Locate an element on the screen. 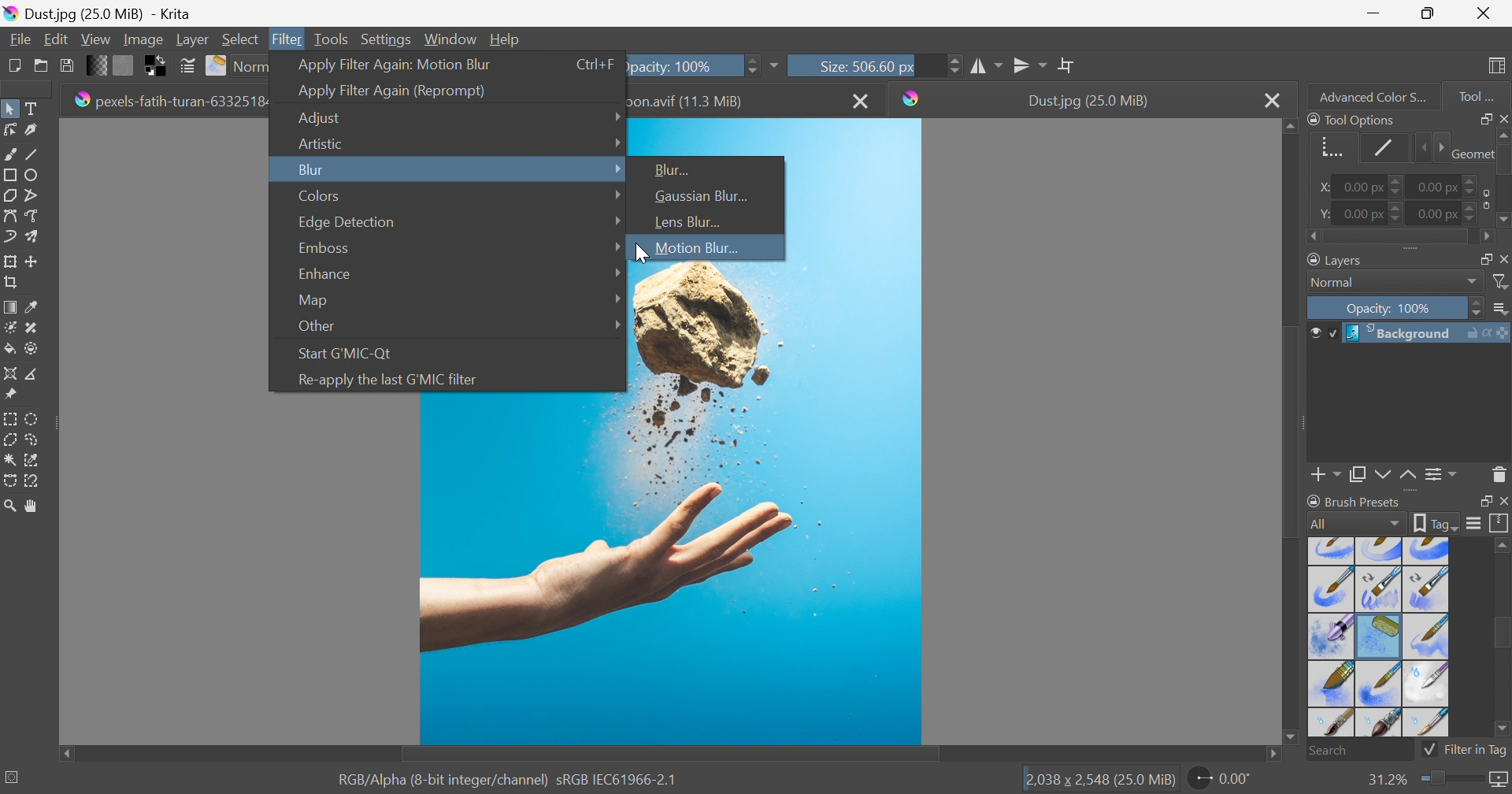  Image is located at coordinates (142, 39).